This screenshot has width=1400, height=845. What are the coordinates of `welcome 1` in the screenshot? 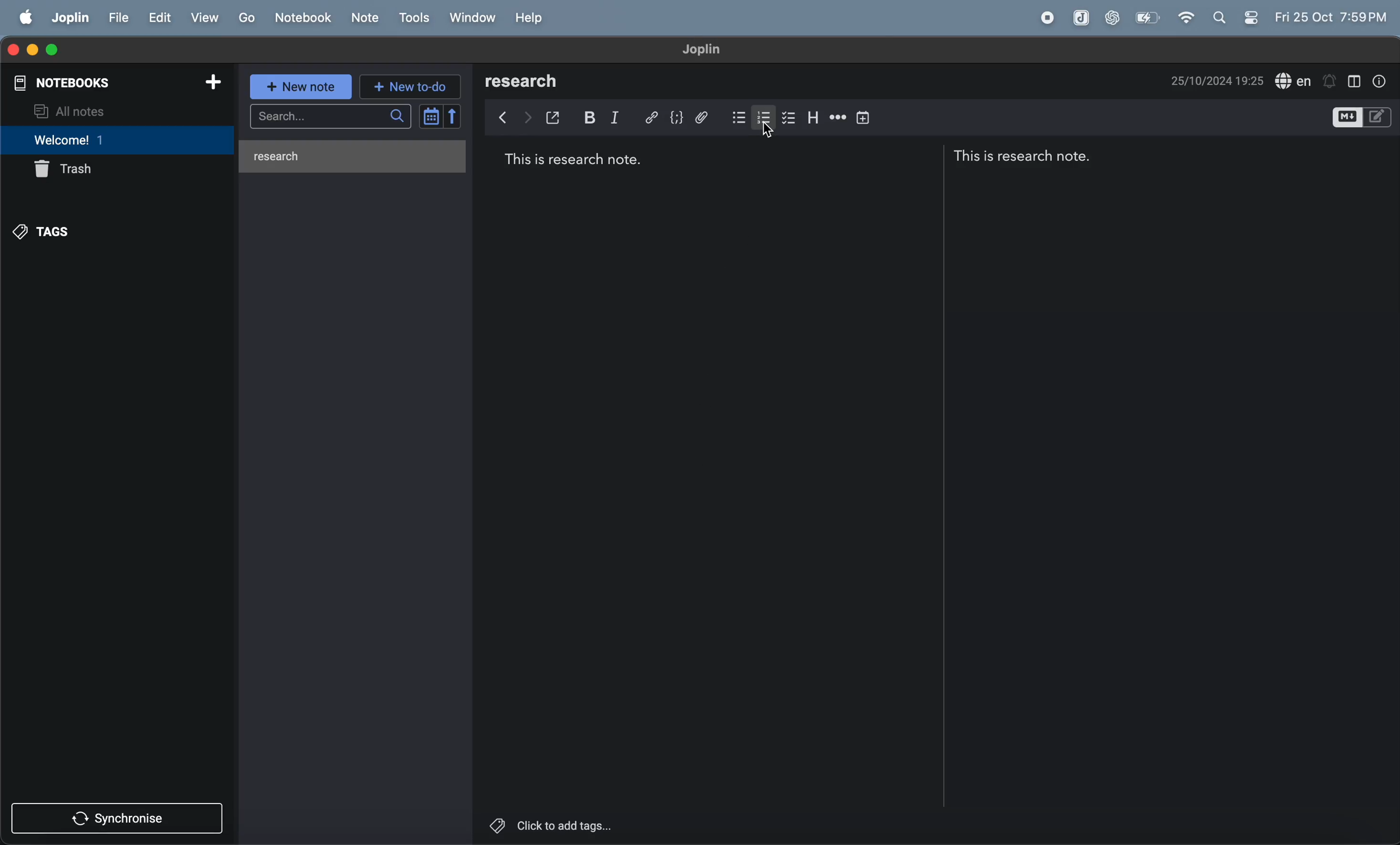 It's located at (120, 140).